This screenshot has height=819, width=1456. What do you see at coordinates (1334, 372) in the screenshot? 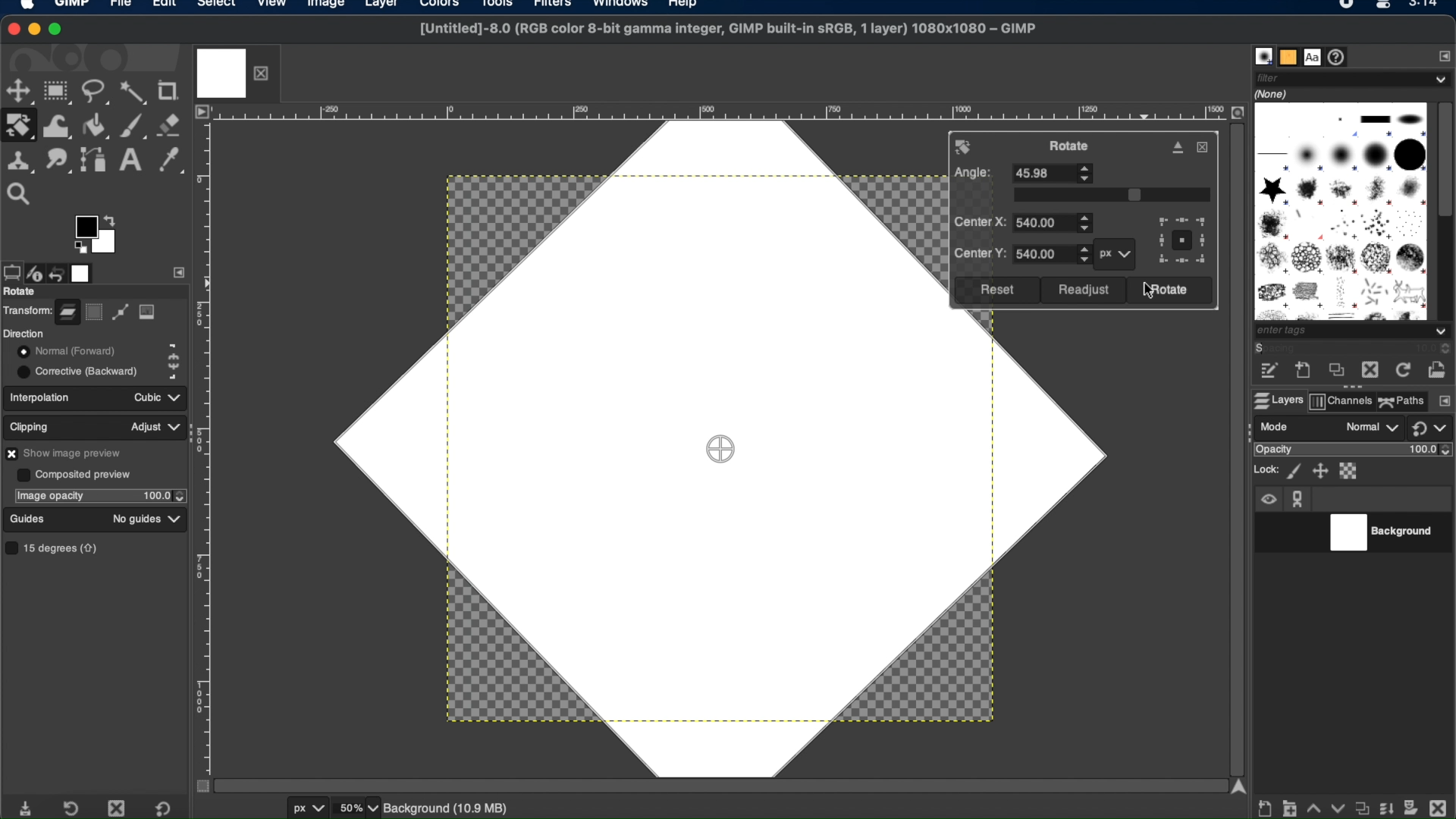
I see `duplicate this brush` at bounding box center [1334, 372].